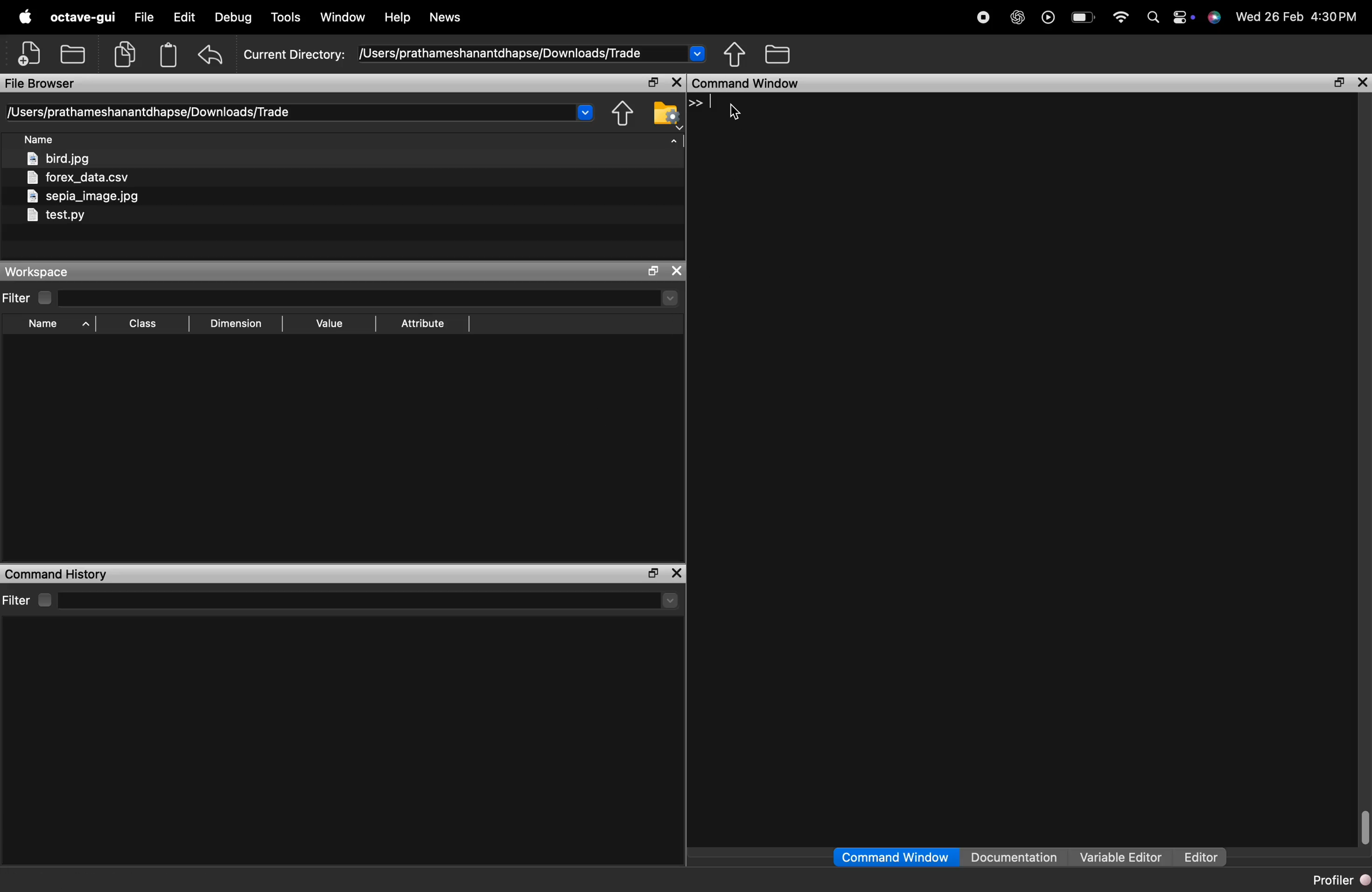 The width and height of the screenshot is (1372, 892). What do you see at coordinates (678, 271) in the screenshot?
I see `close` at bounding box center [678, 271].